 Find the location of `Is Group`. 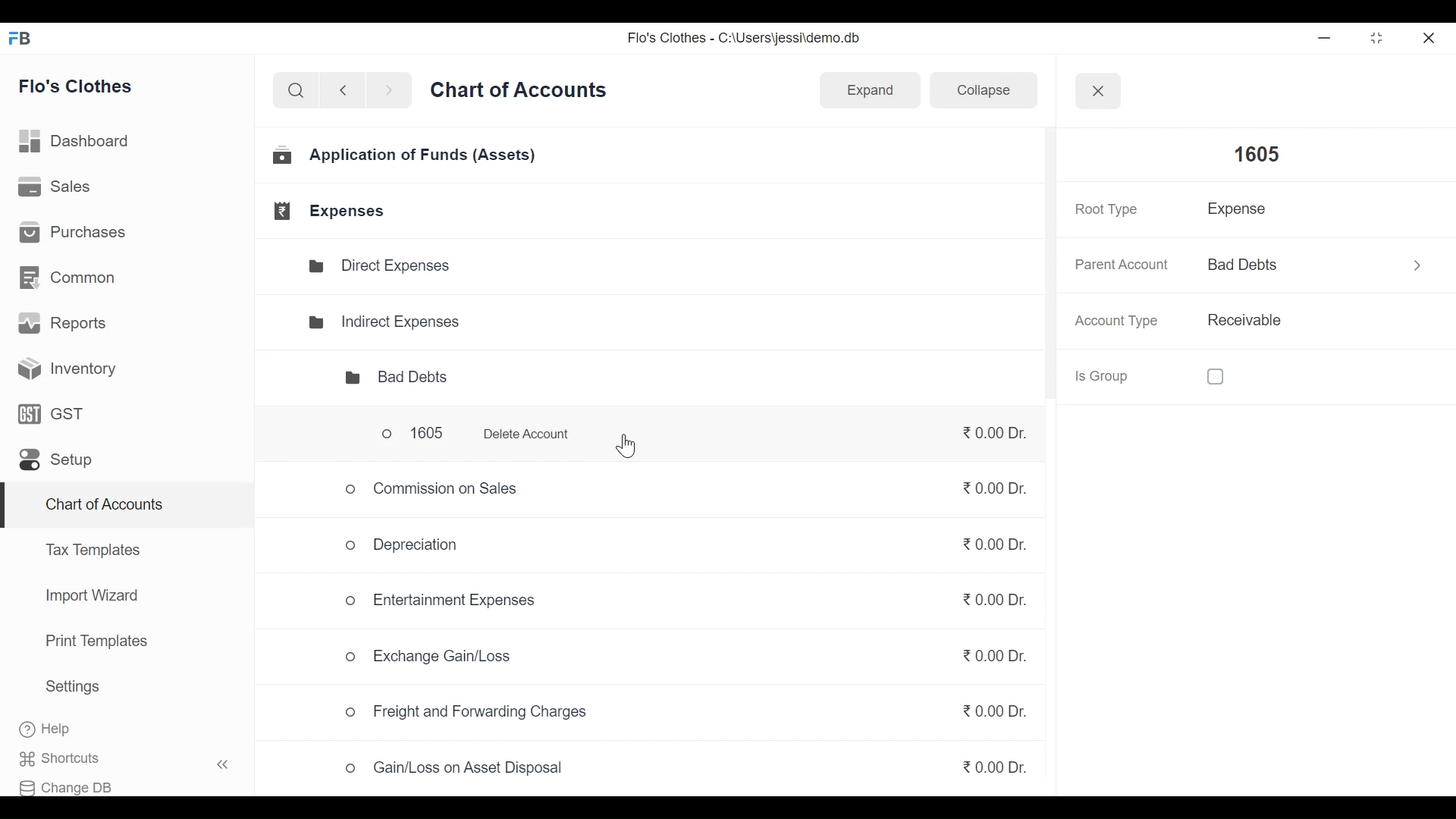

Is Group is located at coordinates (1163, 375).